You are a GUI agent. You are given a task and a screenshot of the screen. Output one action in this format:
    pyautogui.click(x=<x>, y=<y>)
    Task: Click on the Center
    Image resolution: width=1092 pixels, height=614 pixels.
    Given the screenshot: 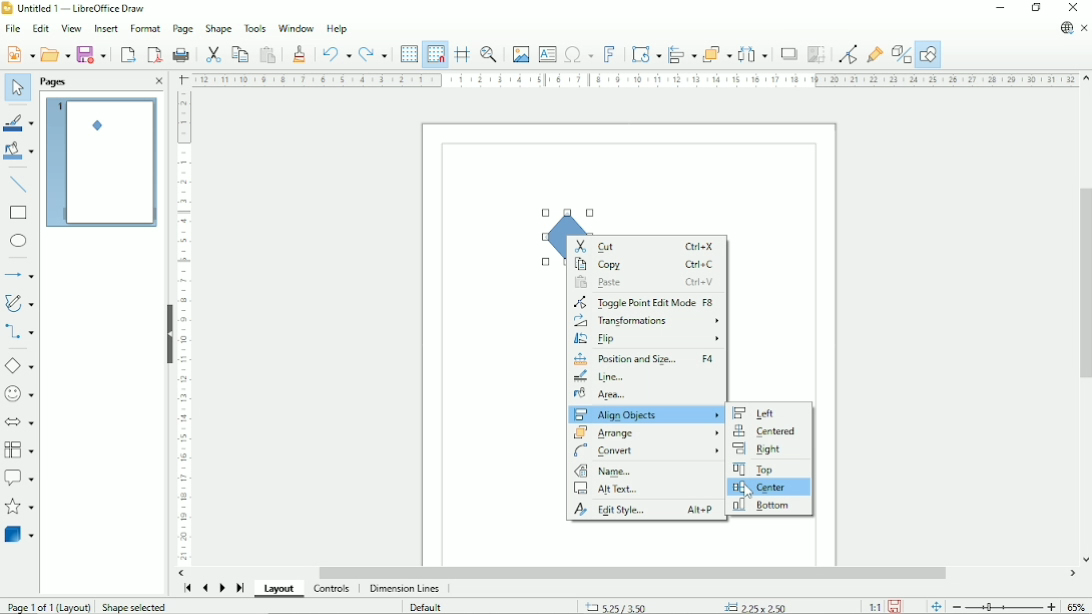 What is the action you would take?
    pyautogui.click(x=762, y=487)
    